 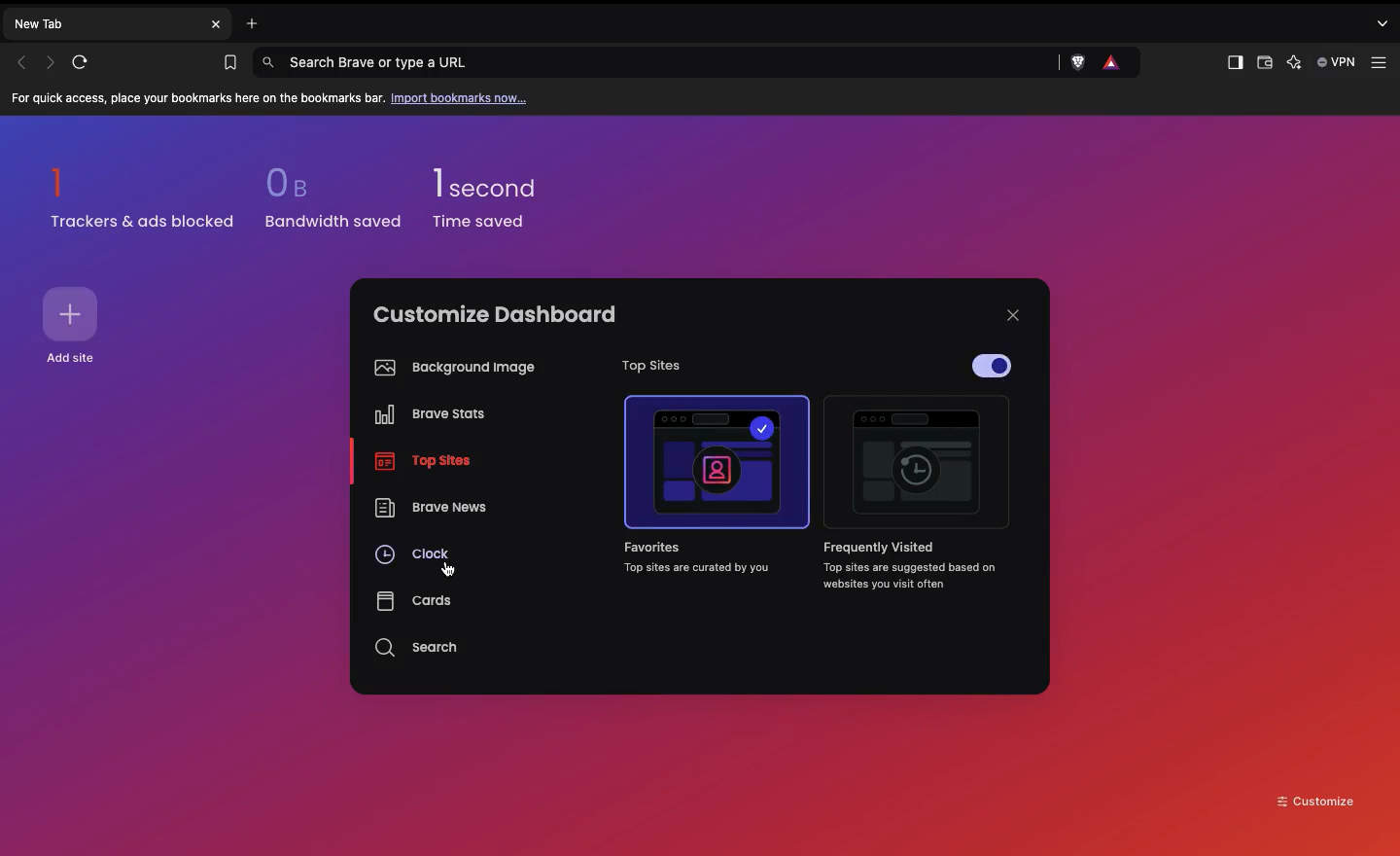 I want to click on VPN, so click(x=1338, y=62).